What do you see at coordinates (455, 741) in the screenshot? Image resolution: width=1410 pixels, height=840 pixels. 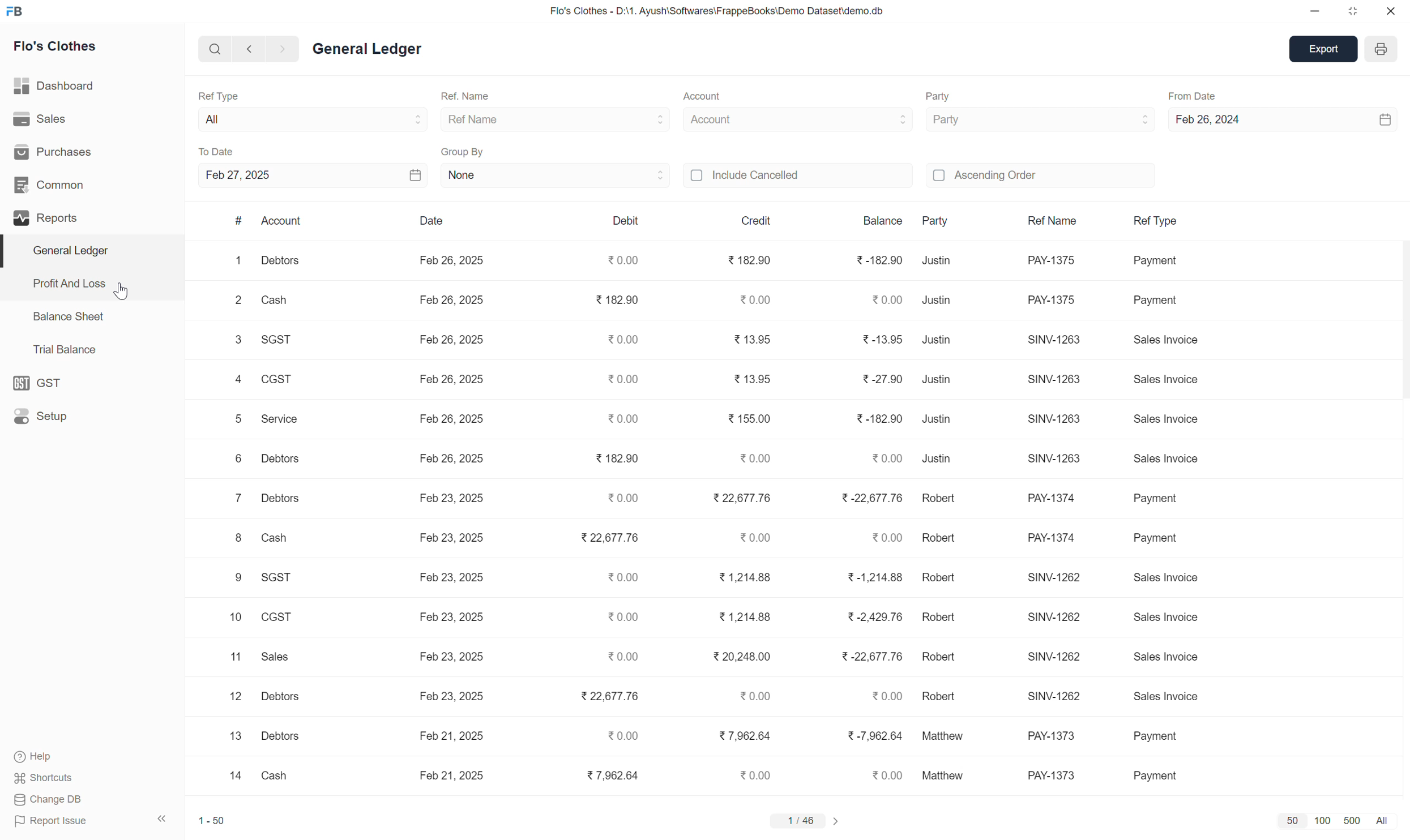 I see `Feb 21, 2025` at bounding box center [455, 741].